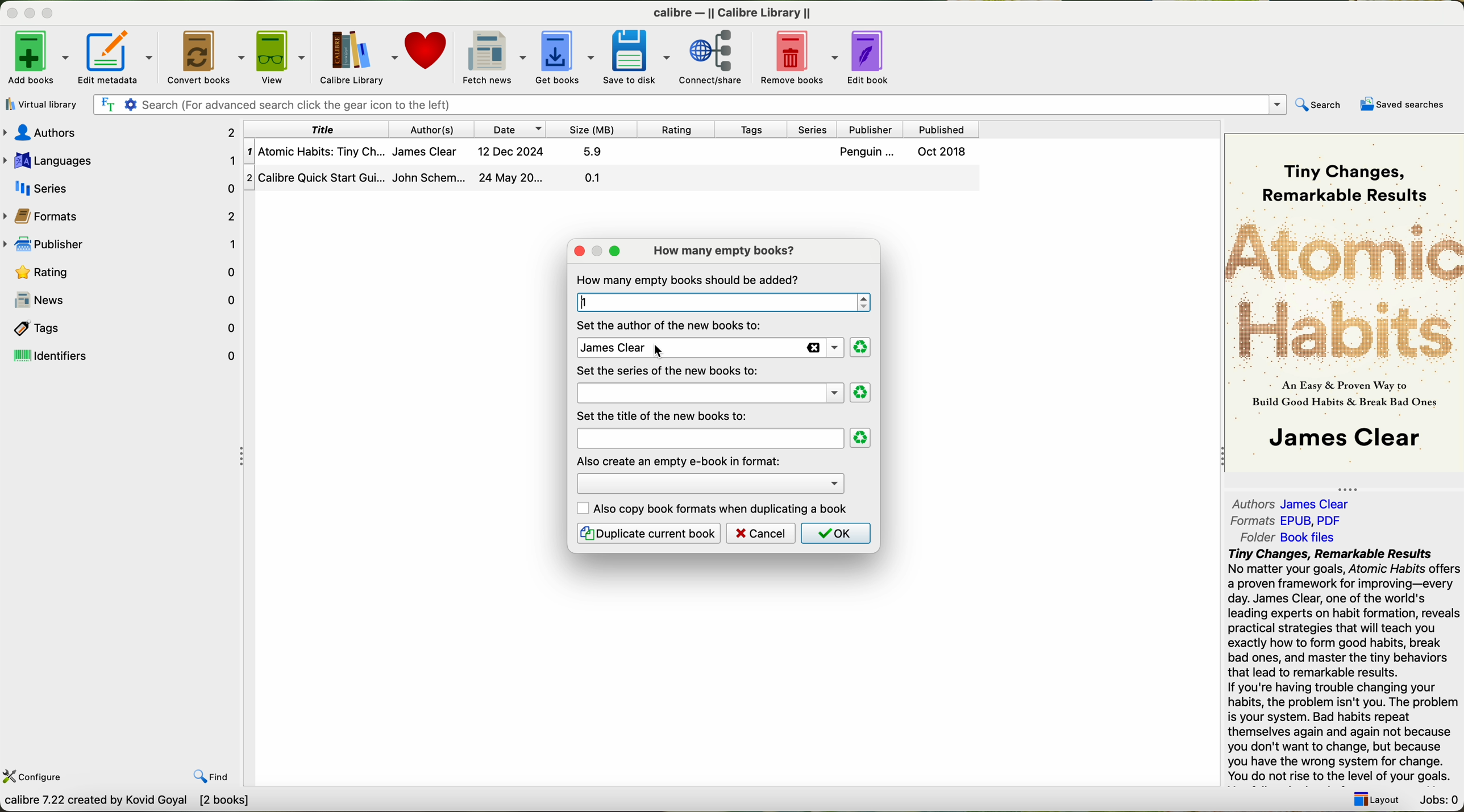  Describe the element at coordinates (597, 129) in the screenshot. I see `size` at that location.